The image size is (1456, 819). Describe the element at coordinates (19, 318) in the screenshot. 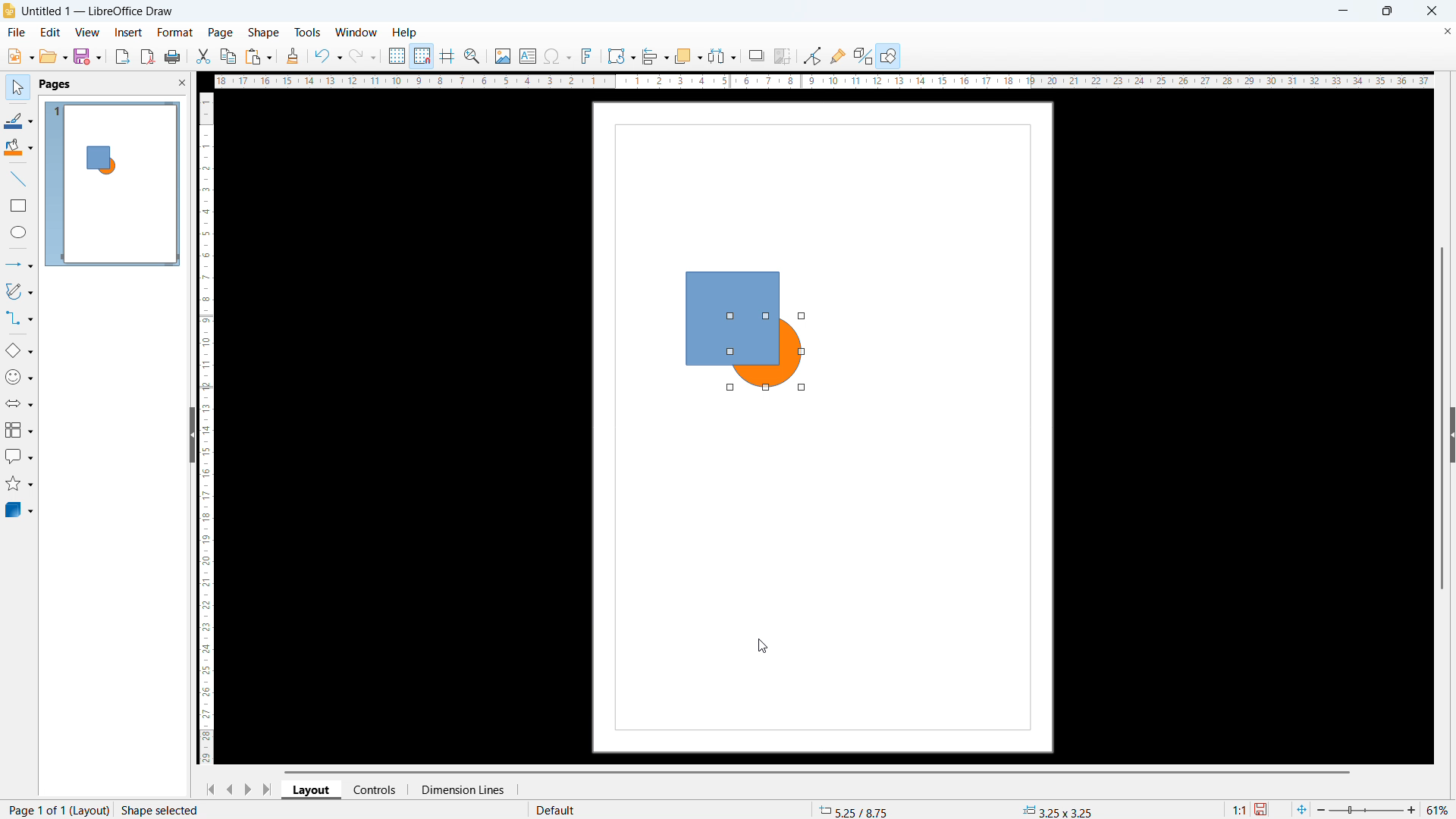

I see `Connectors ` at that location.